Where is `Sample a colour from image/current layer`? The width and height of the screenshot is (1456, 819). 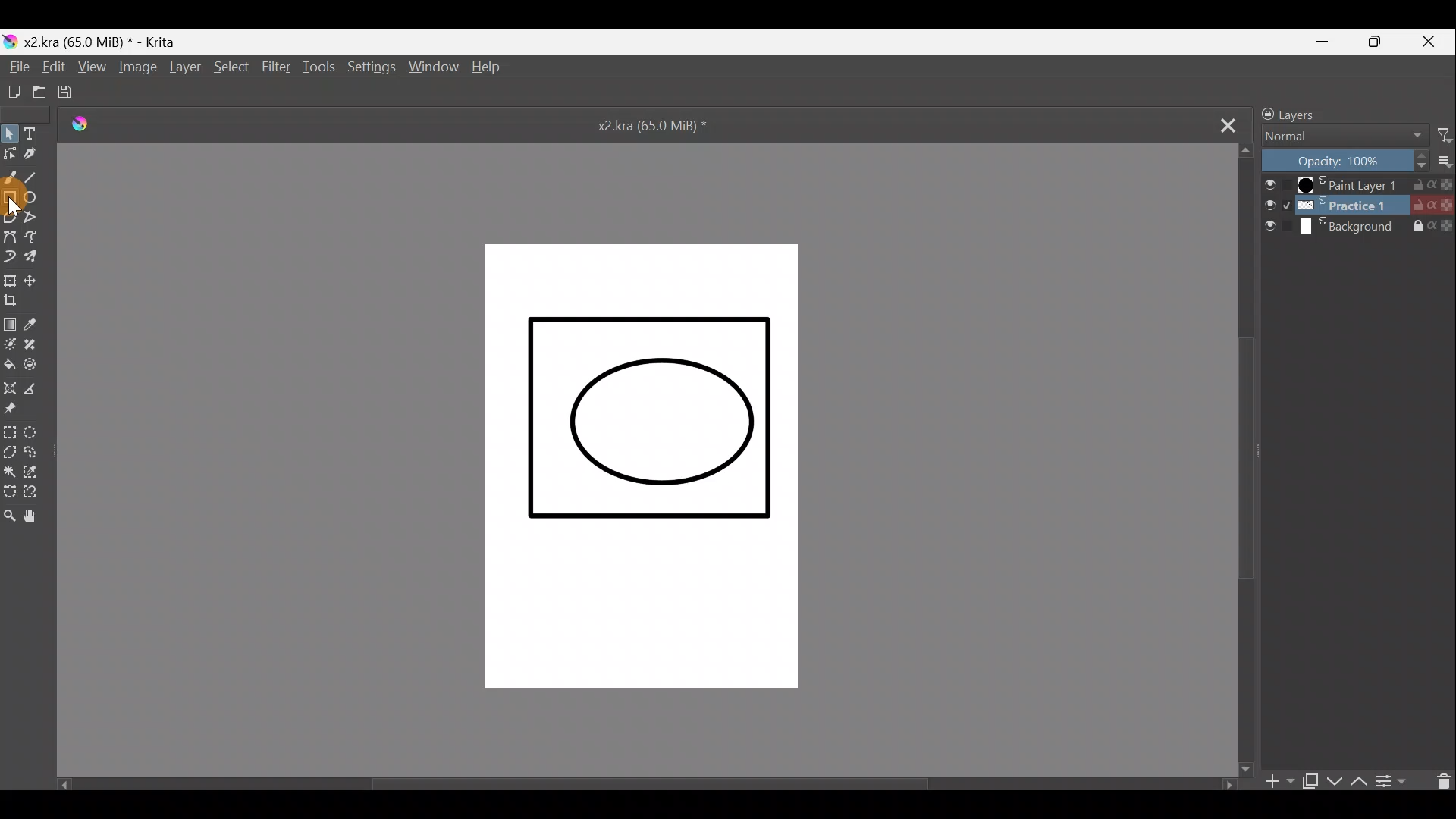
Sample a colour from image/current layer is located at coordinates (43, 325).